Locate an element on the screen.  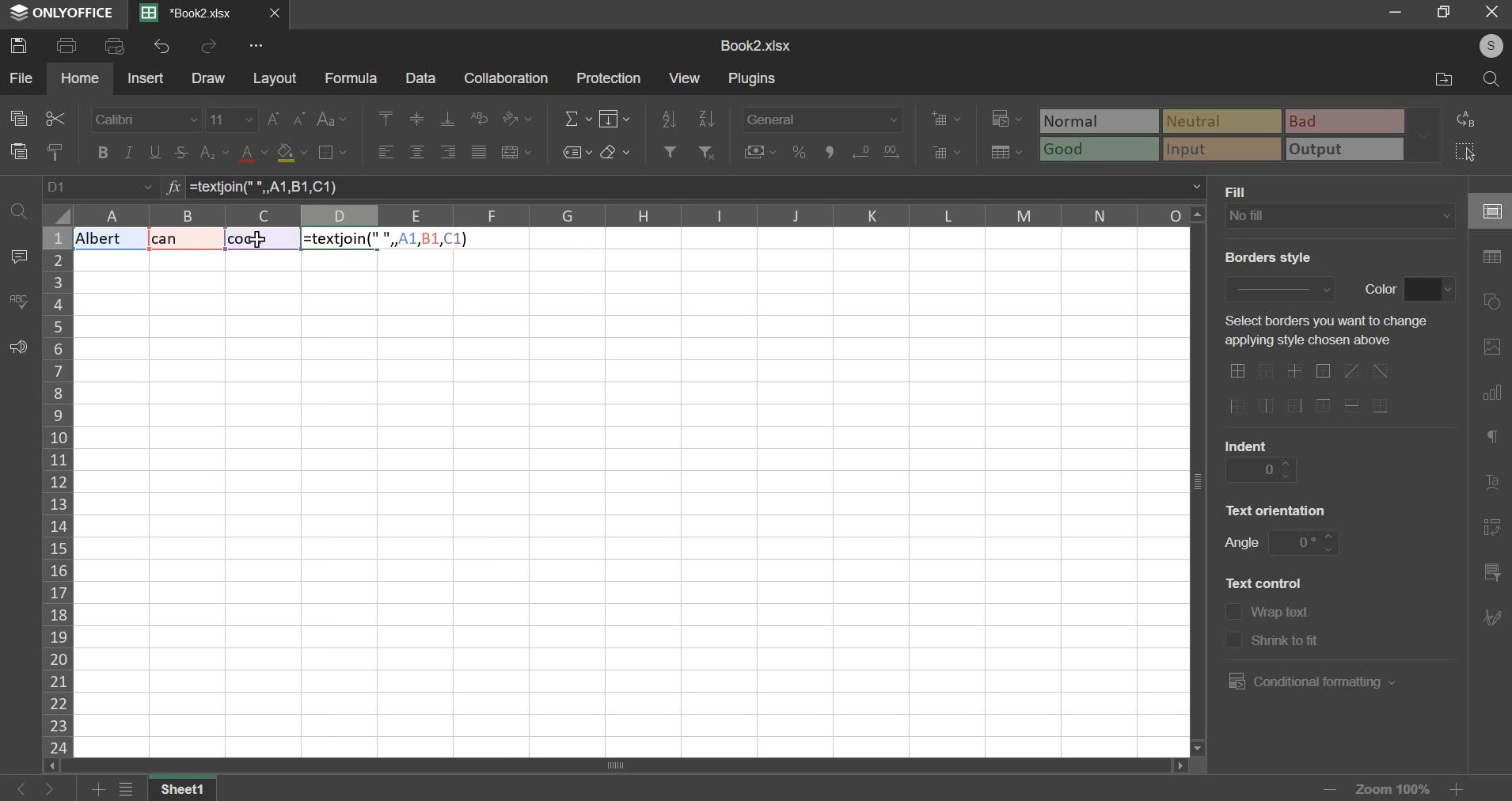
text is located at coordinates (1287, 643).